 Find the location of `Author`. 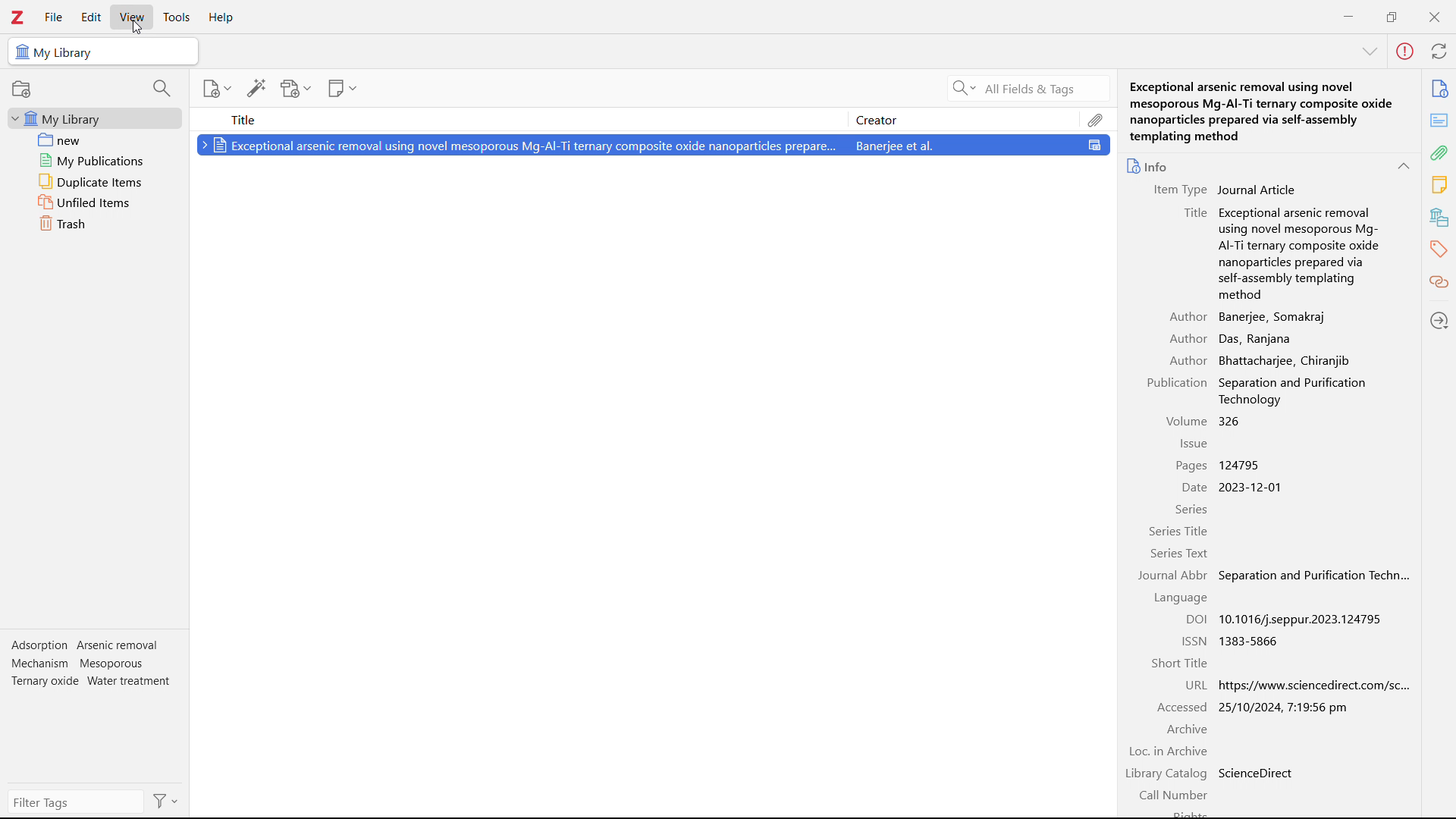

Author is located at coordinates (1189, 316).